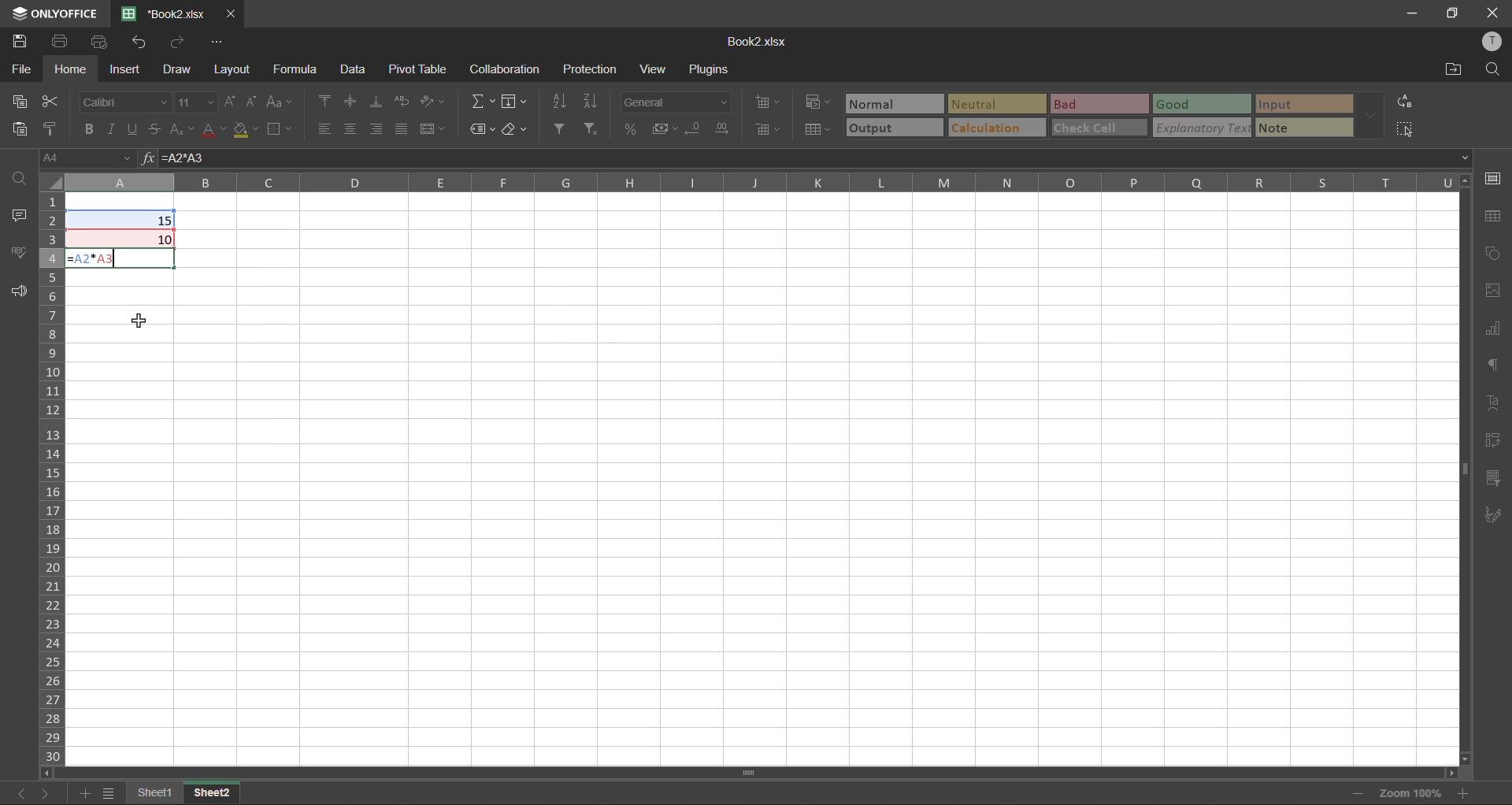 The width and height of the screenshot is (1512, 805). I want to click on clear all, so click(517, 131).